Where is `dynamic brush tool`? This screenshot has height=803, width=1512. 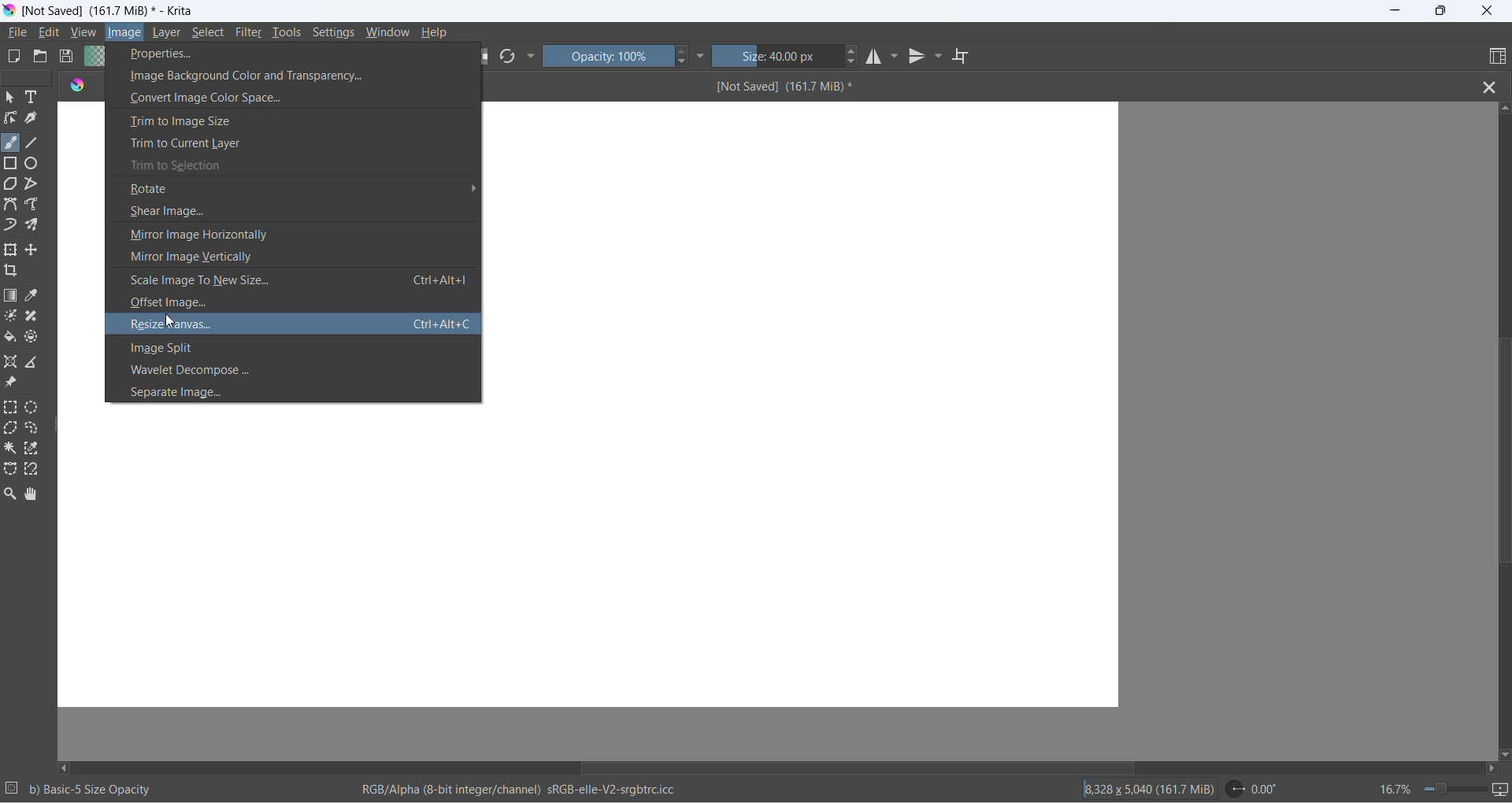 dynamic brush tool is located at coordinates (12, 226).